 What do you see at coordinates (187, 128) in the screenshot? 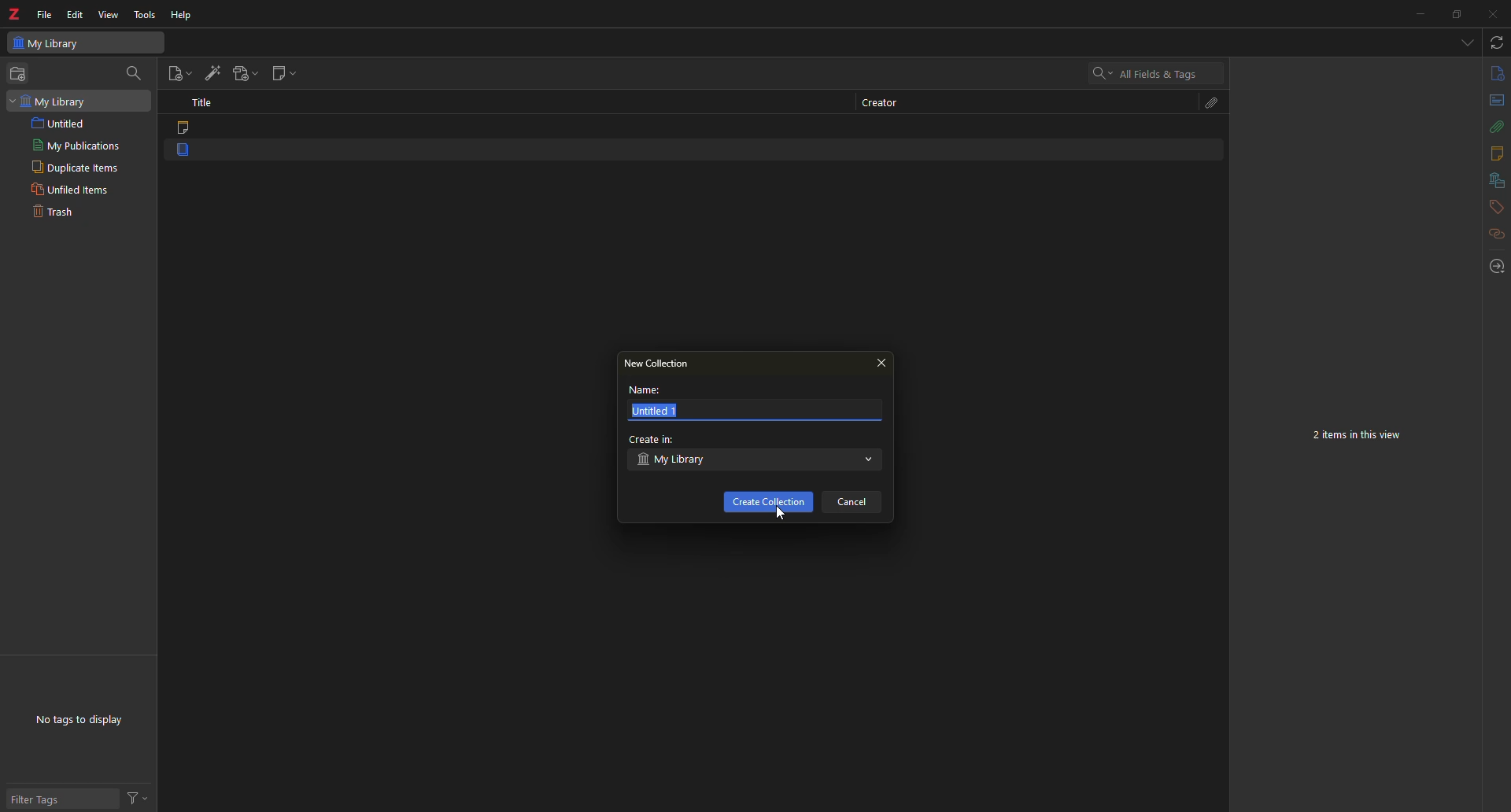
I see `item` at bounding box center [187, 128].